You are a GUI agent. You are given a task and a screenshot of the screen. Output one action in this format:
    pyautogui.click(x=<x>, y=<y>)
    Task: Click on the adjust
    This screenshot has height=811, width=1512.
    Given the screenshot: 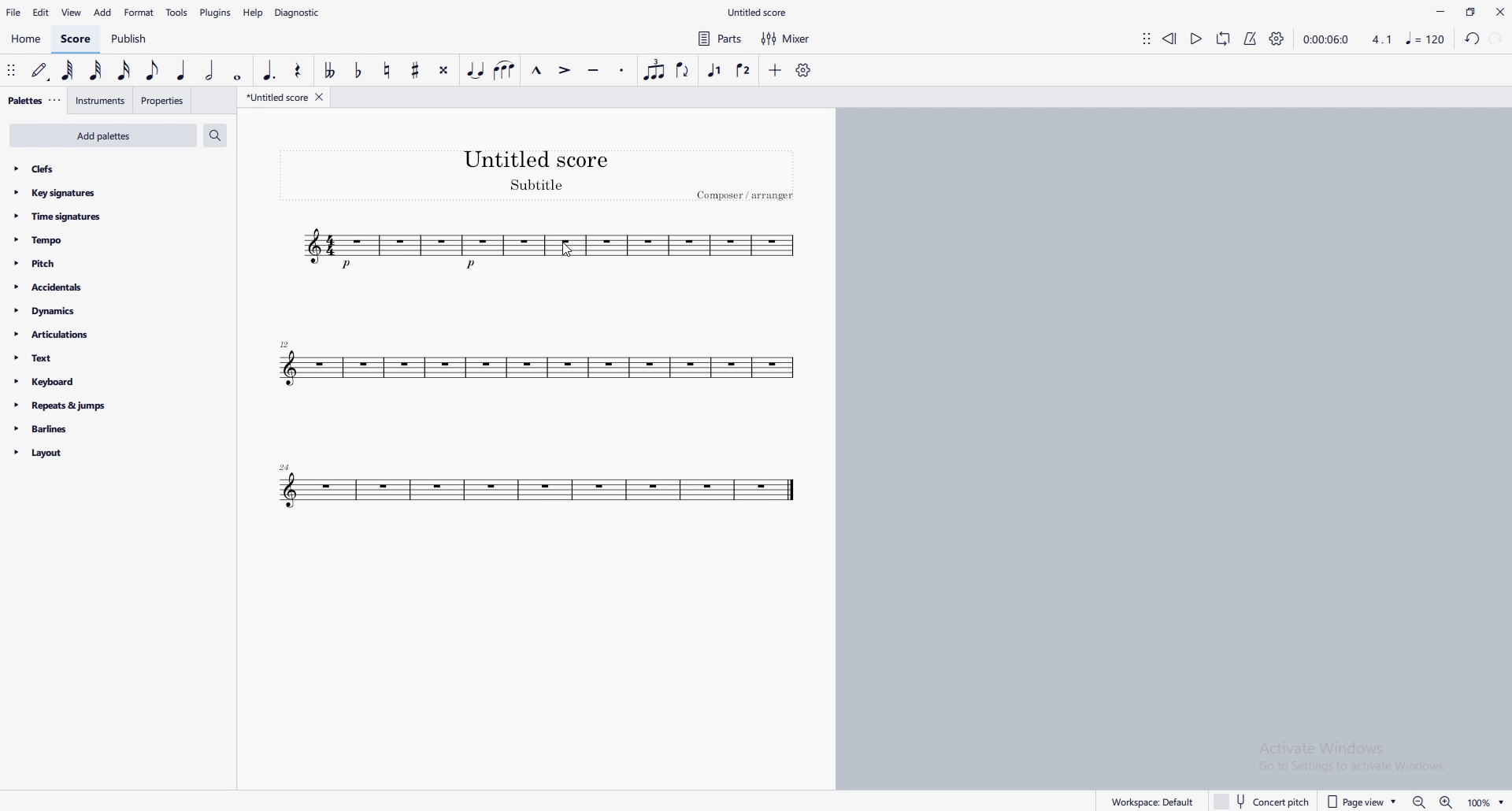 What is the action you would take?
    pyautogui.click(x=13, y=71)
    